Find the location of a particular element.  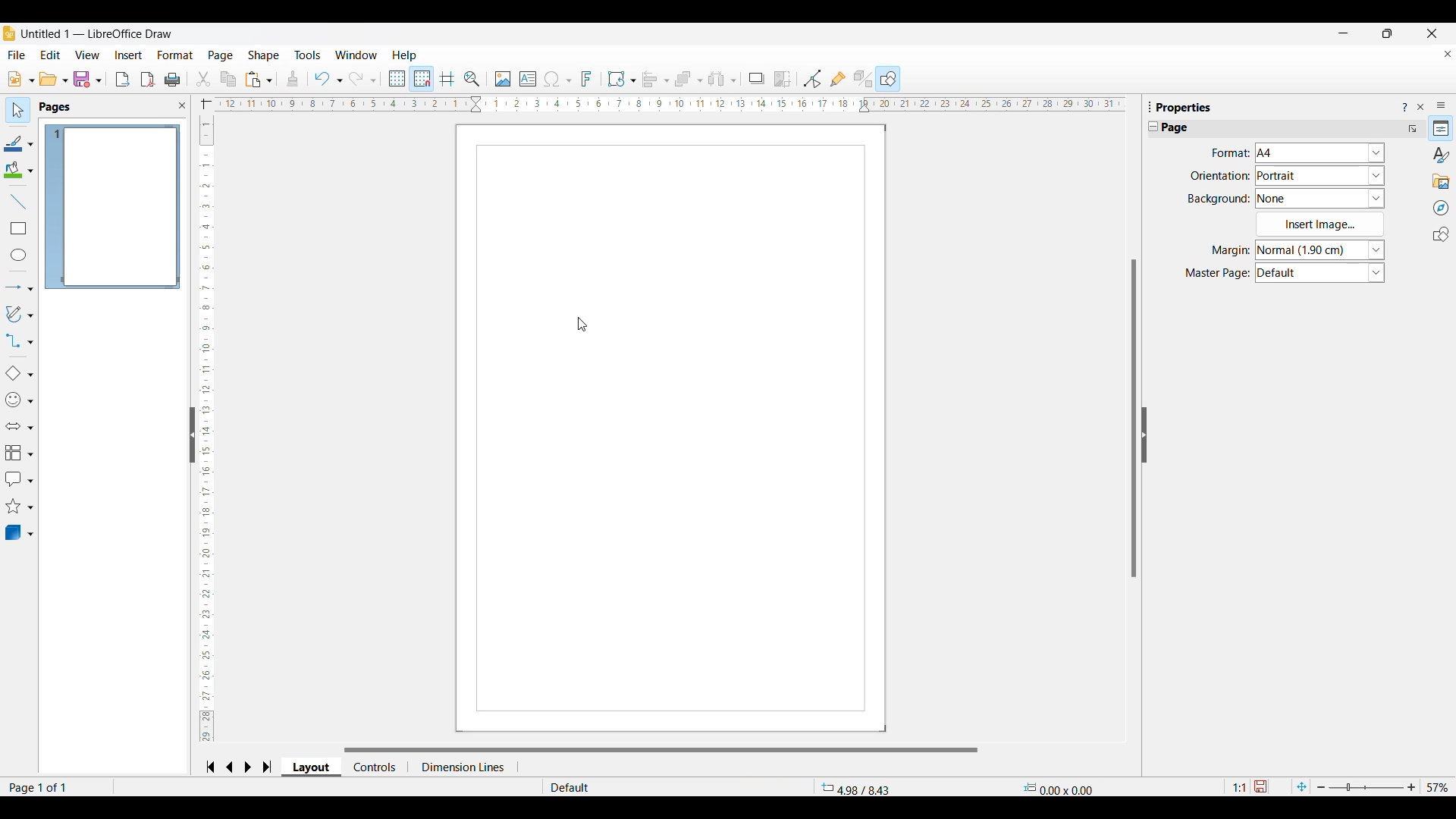

Fit page to current window is located at coordinates (1302, 785).